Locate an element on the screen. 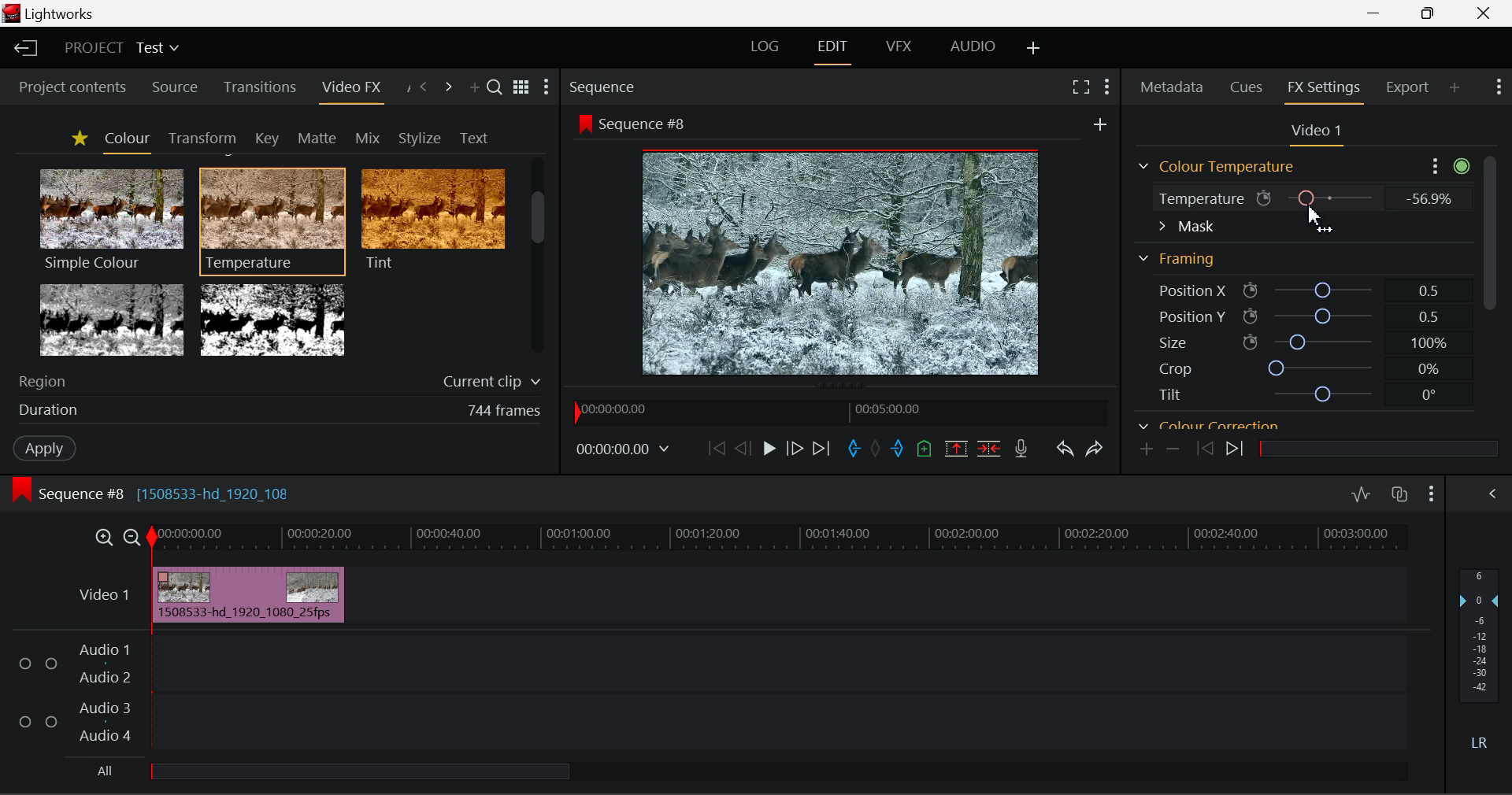  Video Settings is located at coordinates (1321, 134).